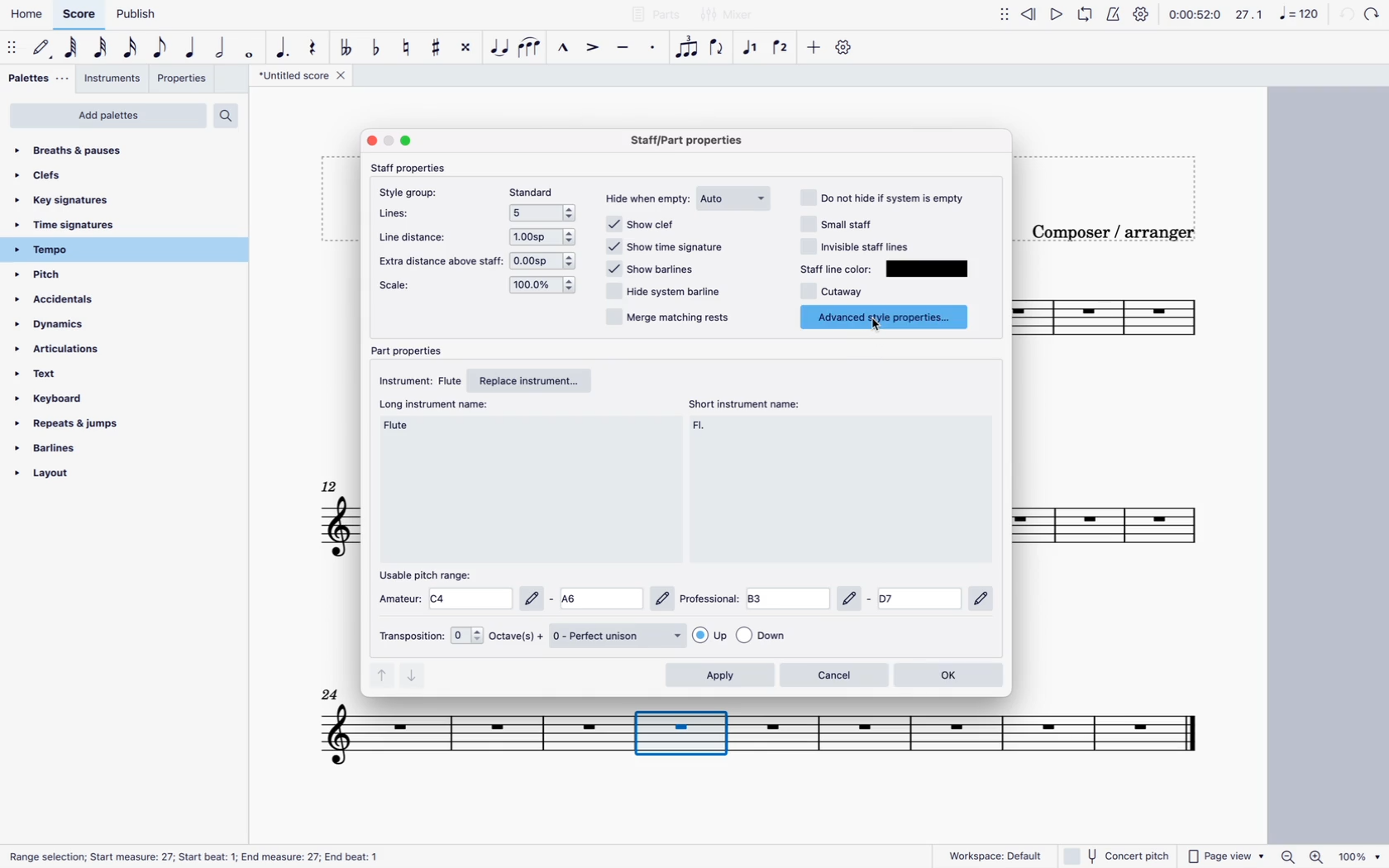  I want to click on articulations, so click(79, 350).